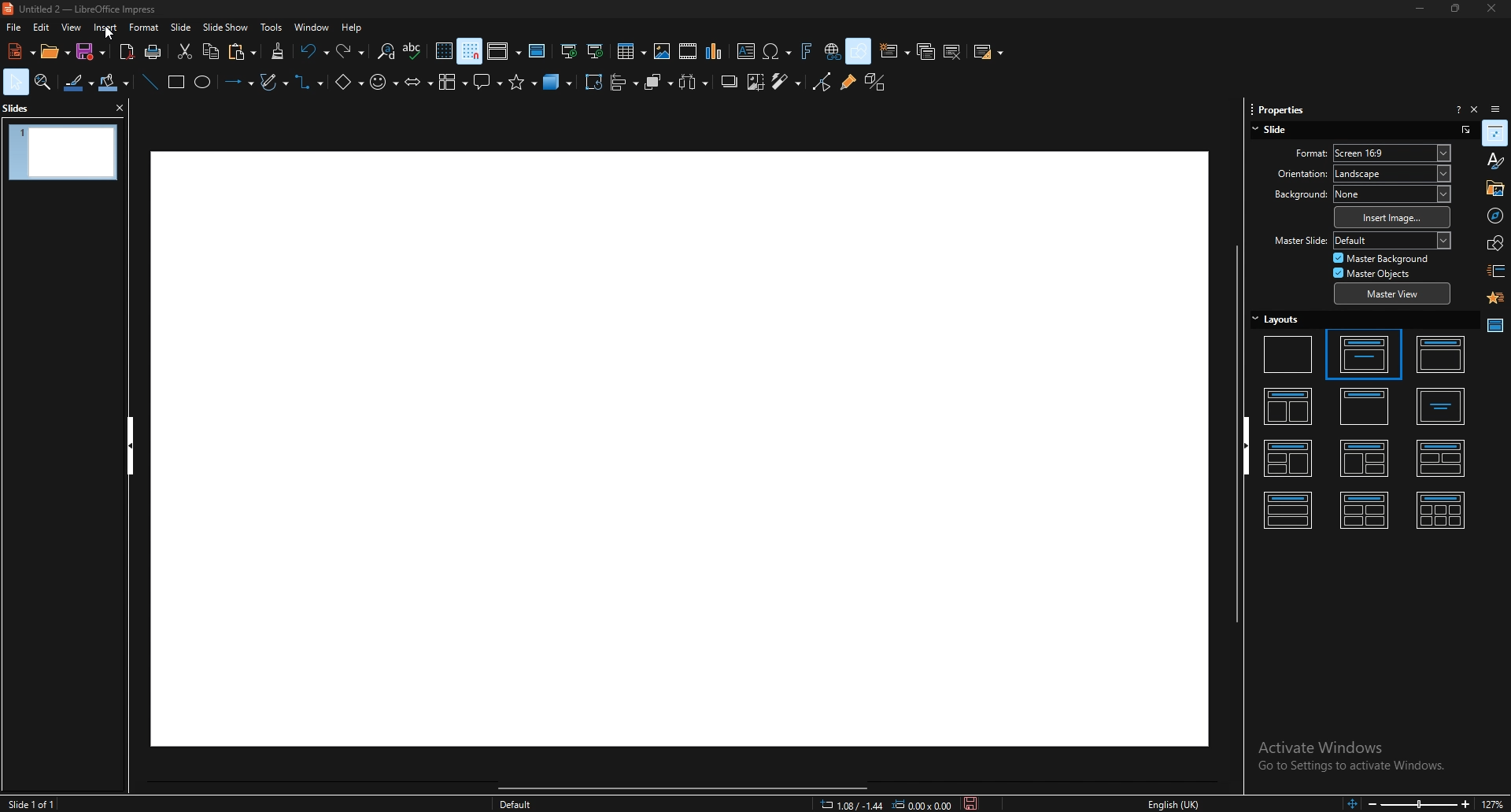  Describe the element at coordinates (695, 83) in the screenshot. I see `distribute` at that location.